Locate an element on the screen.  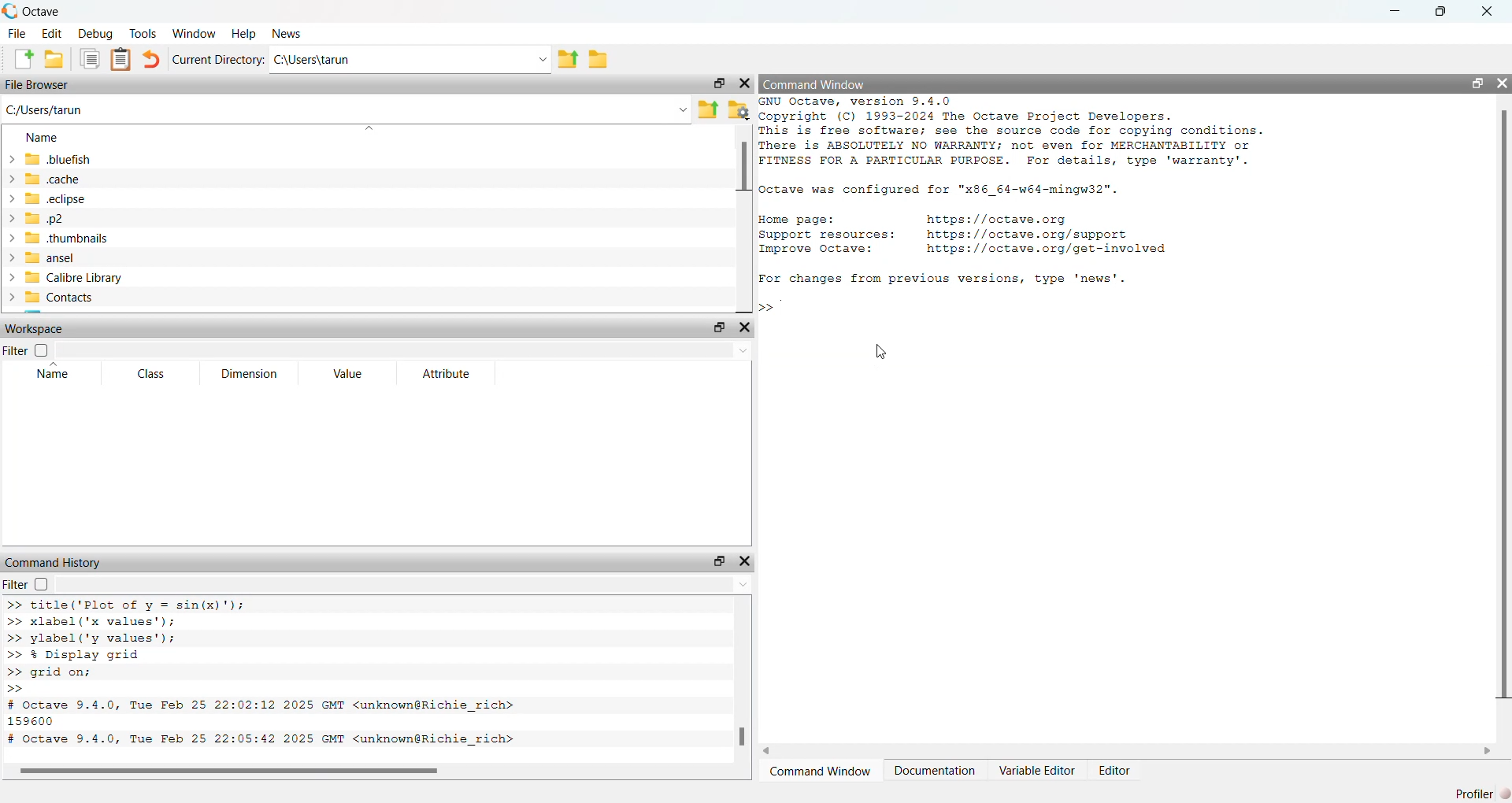
Command Window is located at coordinates (828, 84).